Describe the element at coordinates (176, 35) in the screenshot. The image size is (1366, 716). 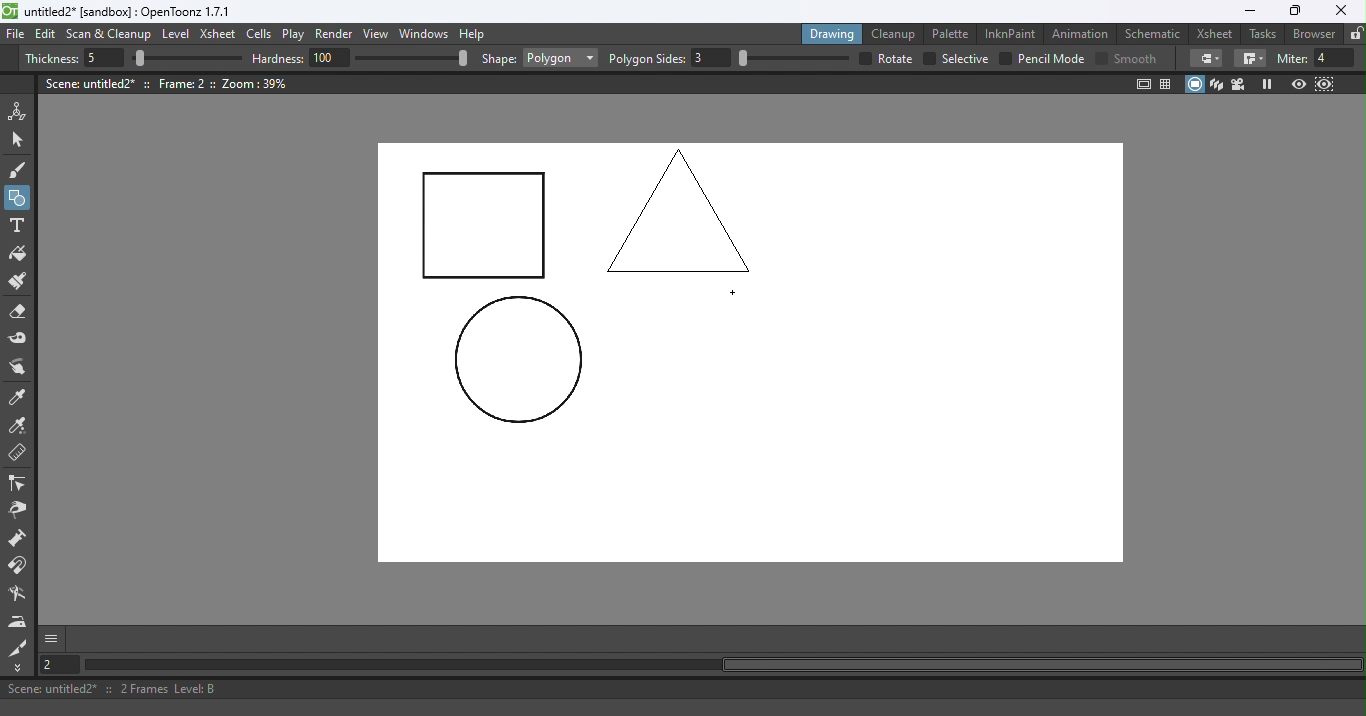
I see `Level` at that location.